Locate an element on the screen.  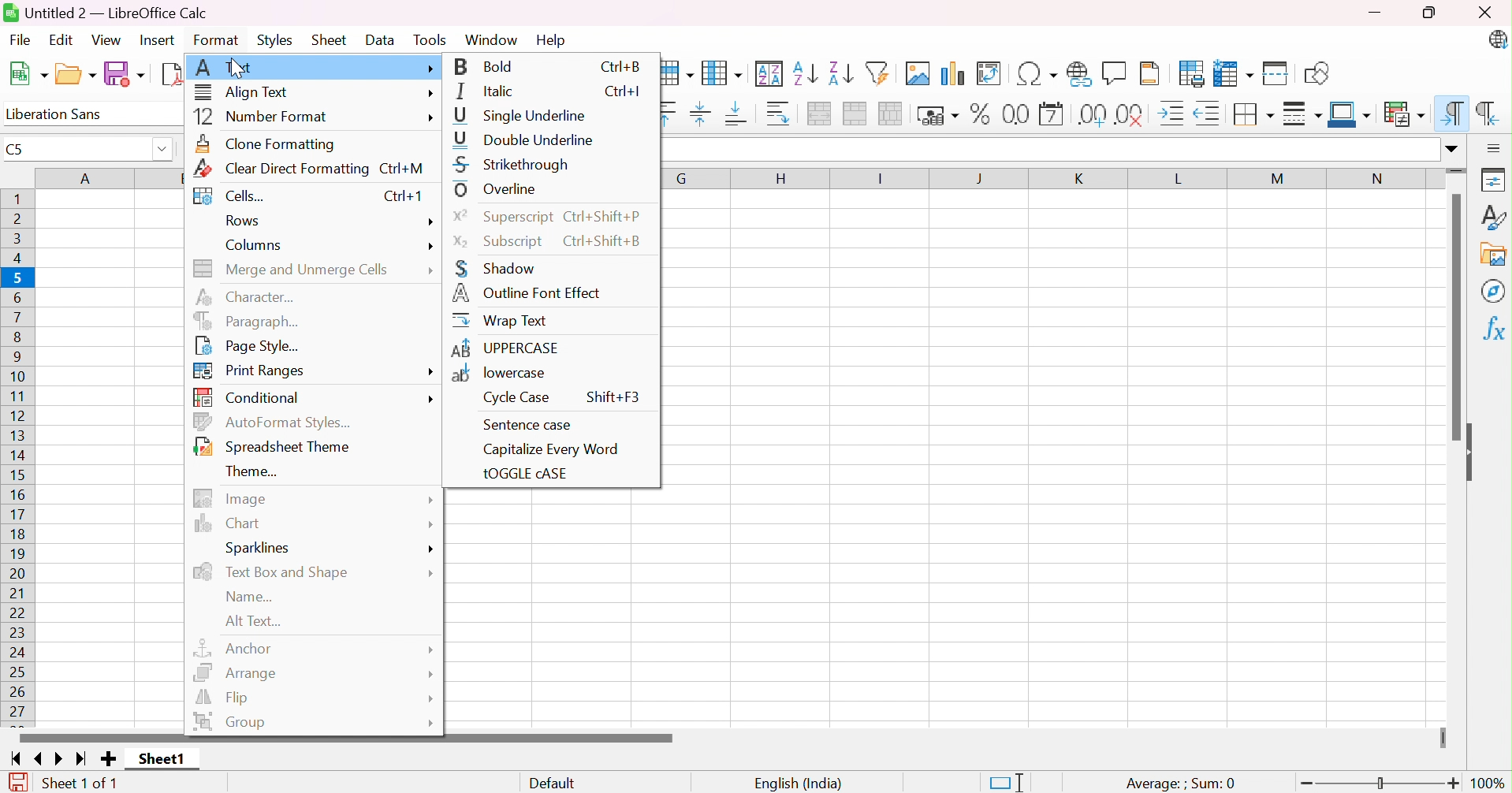
Merge and Unmerge Cells is located at coordinates (292, 266).